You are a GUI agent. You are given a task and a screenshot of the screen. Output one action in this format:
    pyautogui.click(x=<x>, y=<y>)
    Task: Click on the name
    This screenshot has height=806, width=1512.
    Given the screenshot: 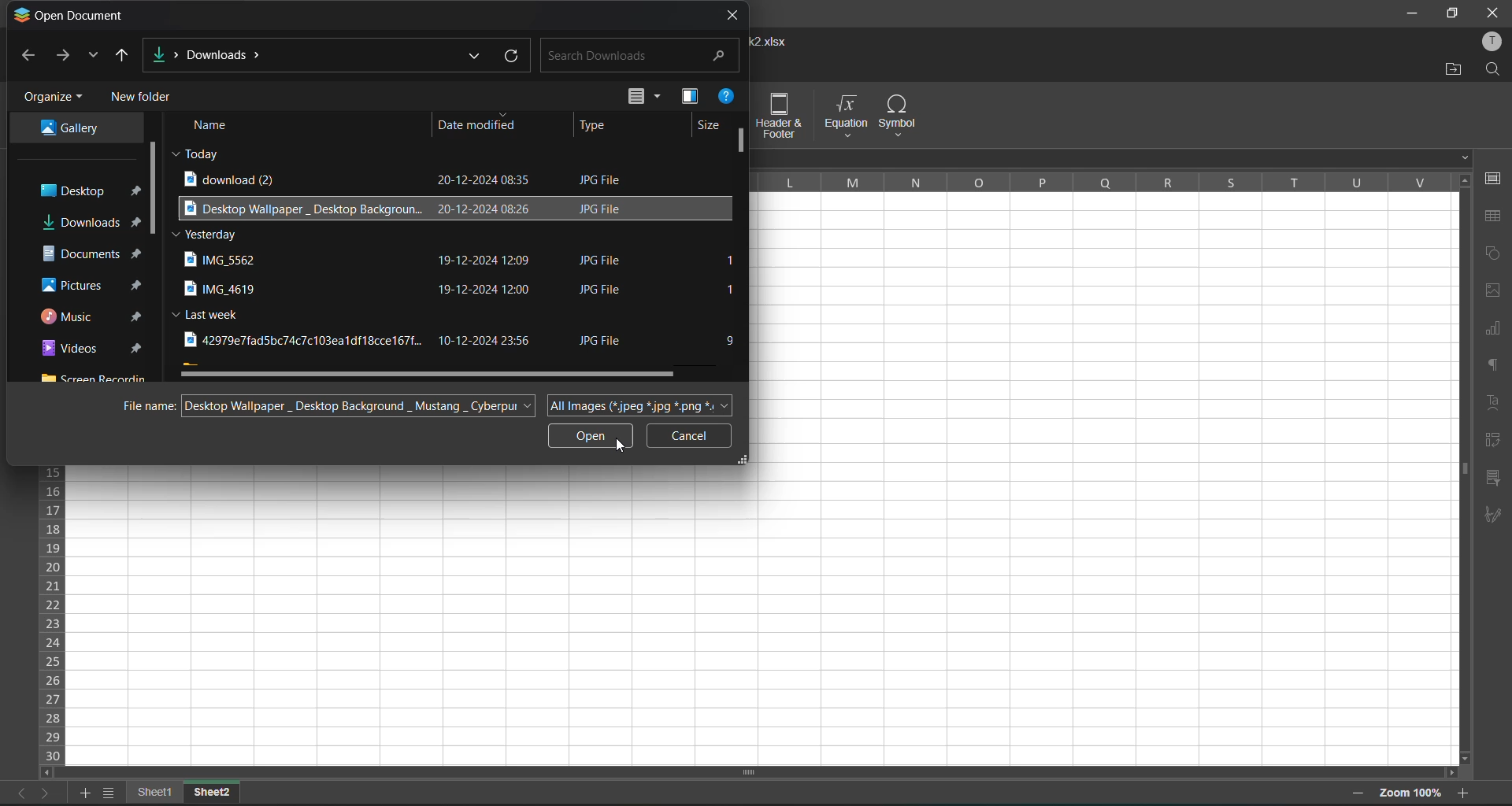 What is the action you would take?
    pyautogui.click(x=214, y=125)
    